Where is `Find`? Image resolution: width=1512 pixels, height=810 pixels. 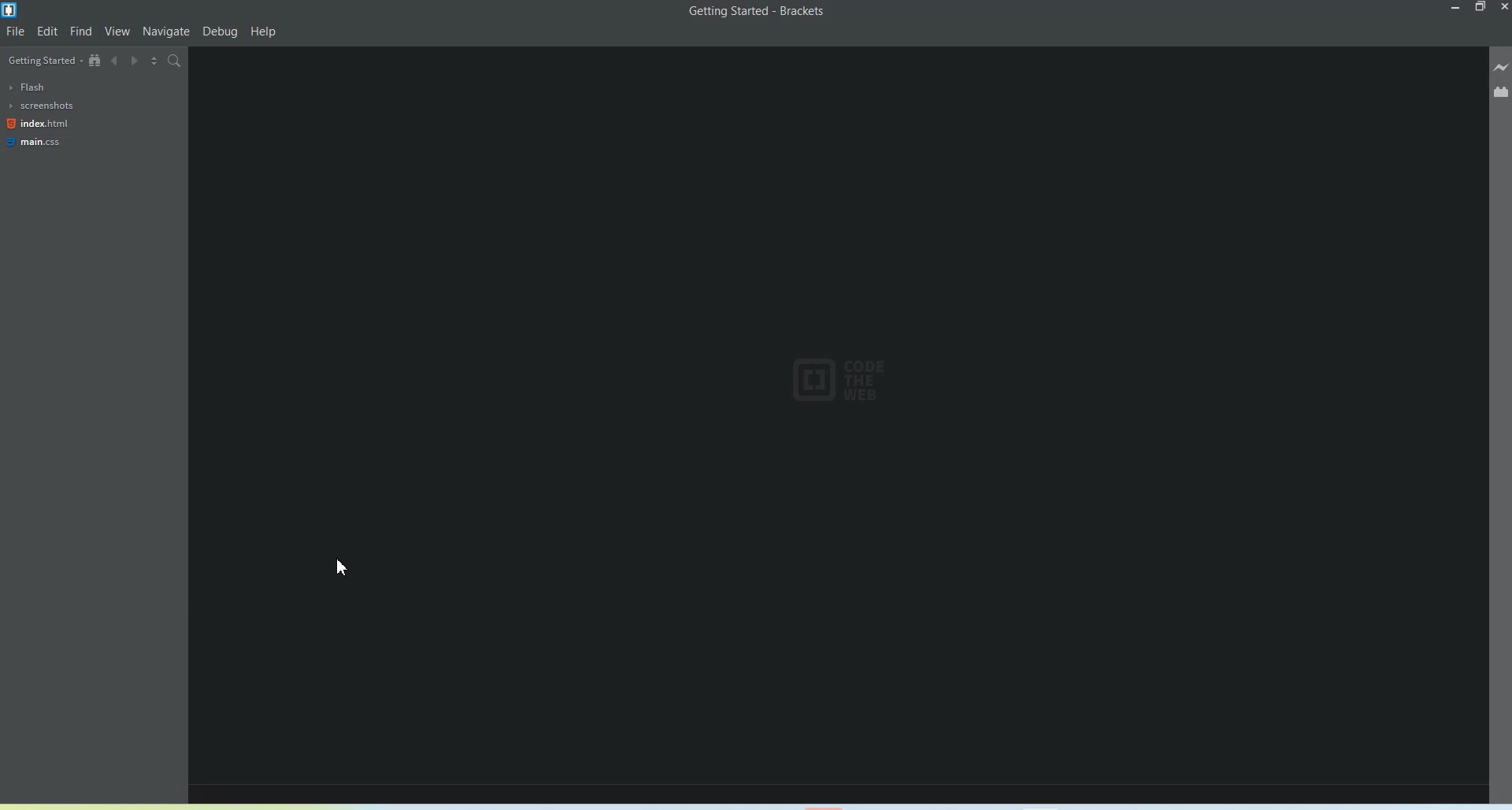
Find is located at coordinates (81, 31).